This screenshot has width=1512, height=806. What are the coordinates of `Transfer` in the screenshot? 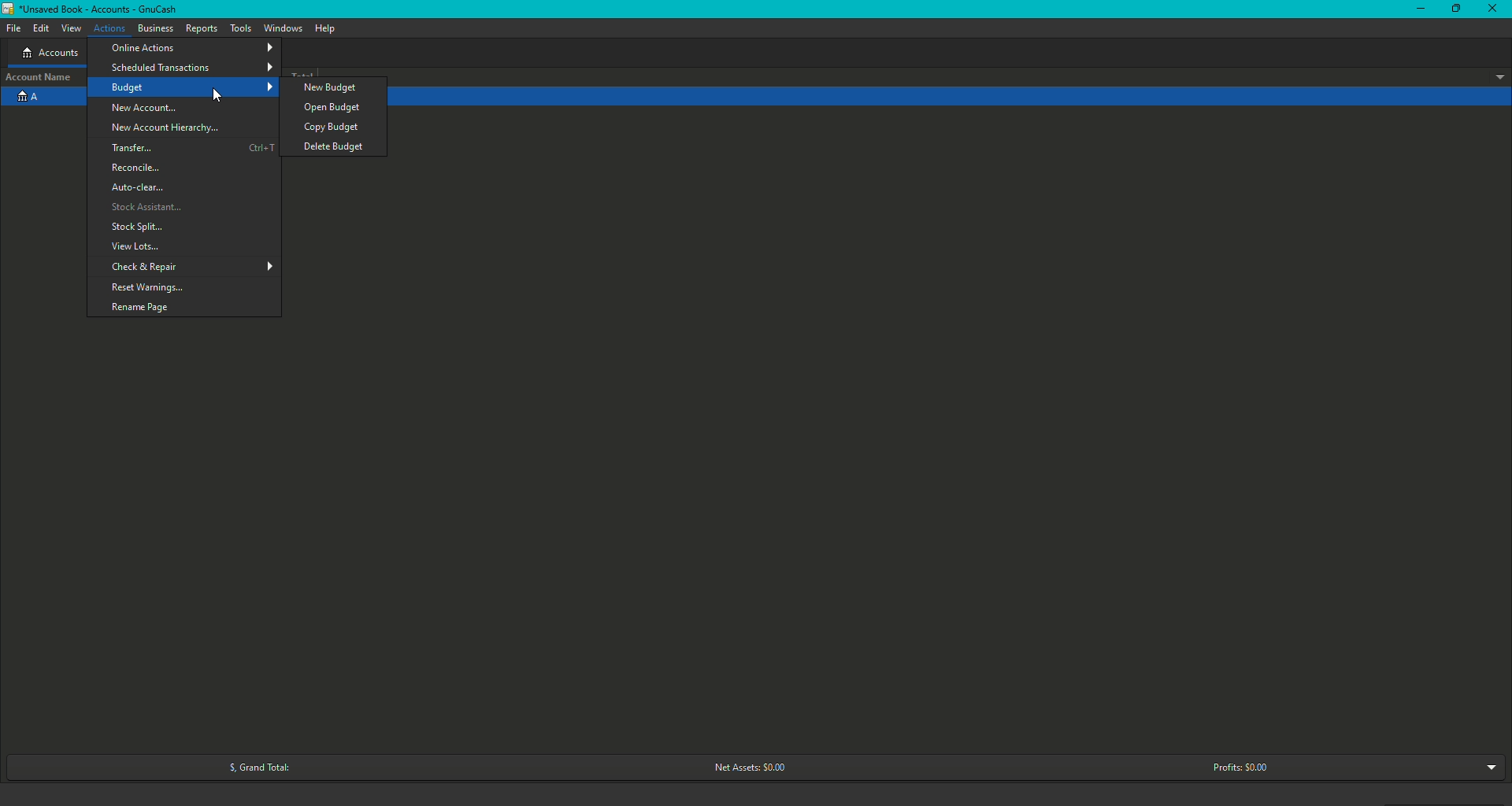 It's located at (192, 148).